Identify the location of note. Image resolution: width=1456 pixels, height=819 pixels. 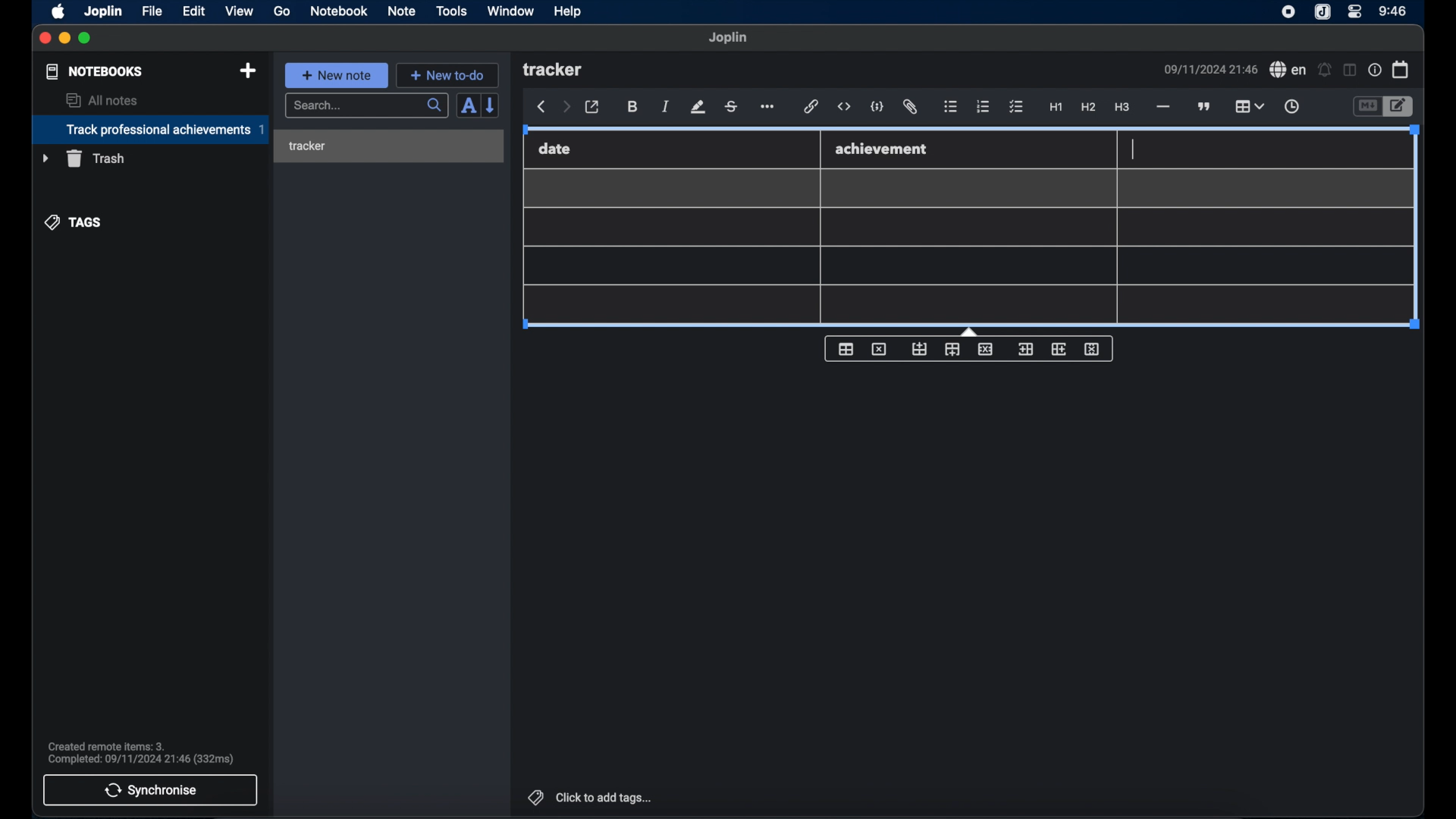
(401, 11).